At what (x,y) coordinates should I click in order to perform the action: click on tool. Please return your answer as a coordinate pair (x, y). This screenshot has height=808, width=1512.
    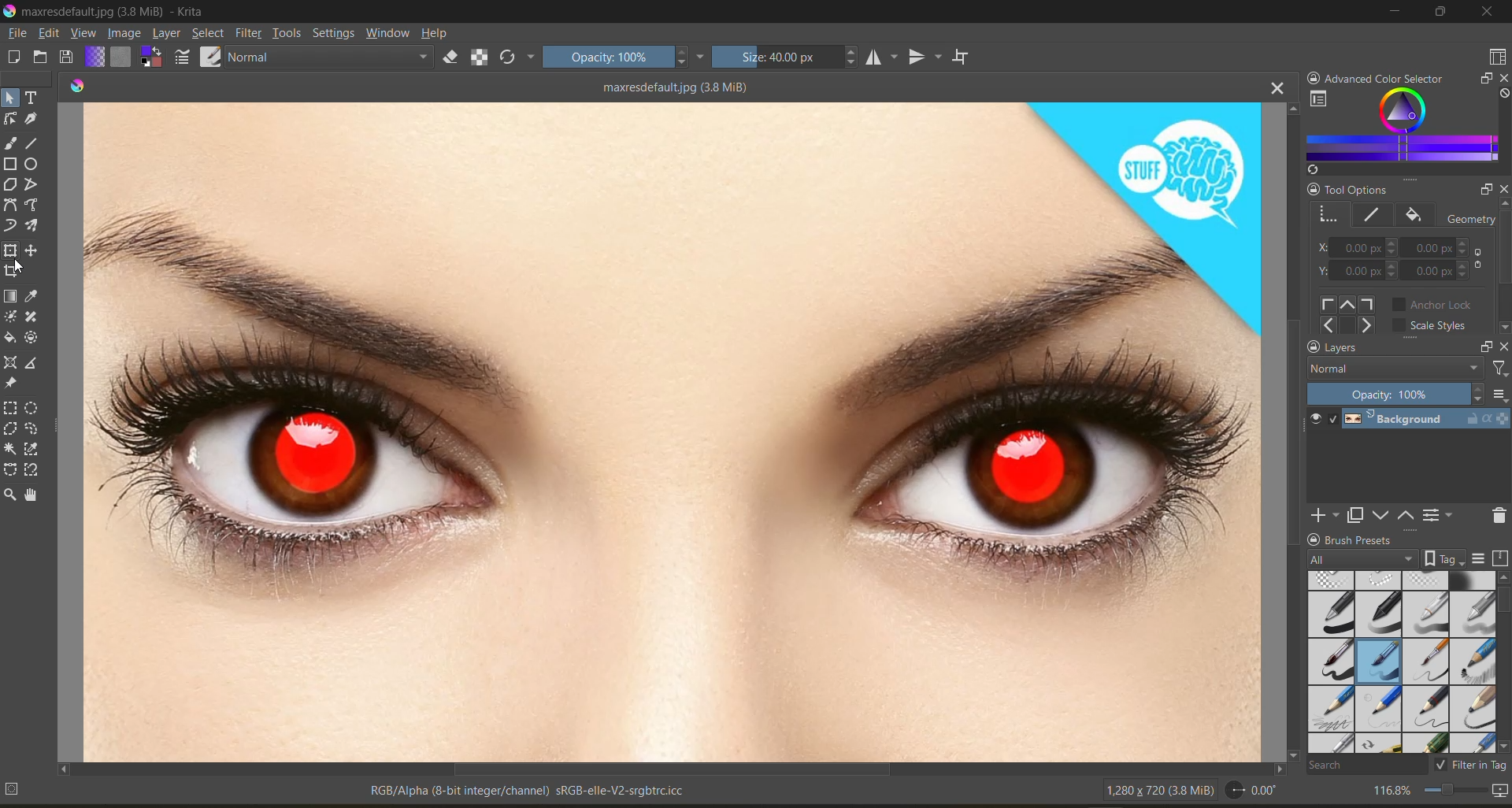
    Looking at the image, I should click on (31, 317).